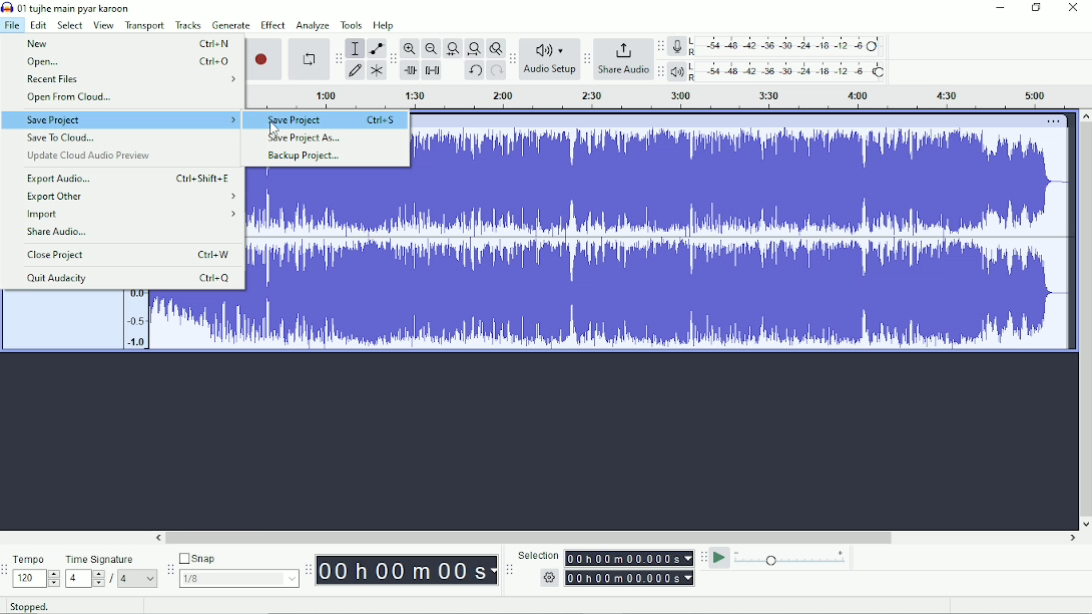 Image resolution: width=1092 pixels, height=614 pixels. What do you see at coordinates (273, 25) in the screenshot?
I see `Effect` at bounding box center [273, 25].